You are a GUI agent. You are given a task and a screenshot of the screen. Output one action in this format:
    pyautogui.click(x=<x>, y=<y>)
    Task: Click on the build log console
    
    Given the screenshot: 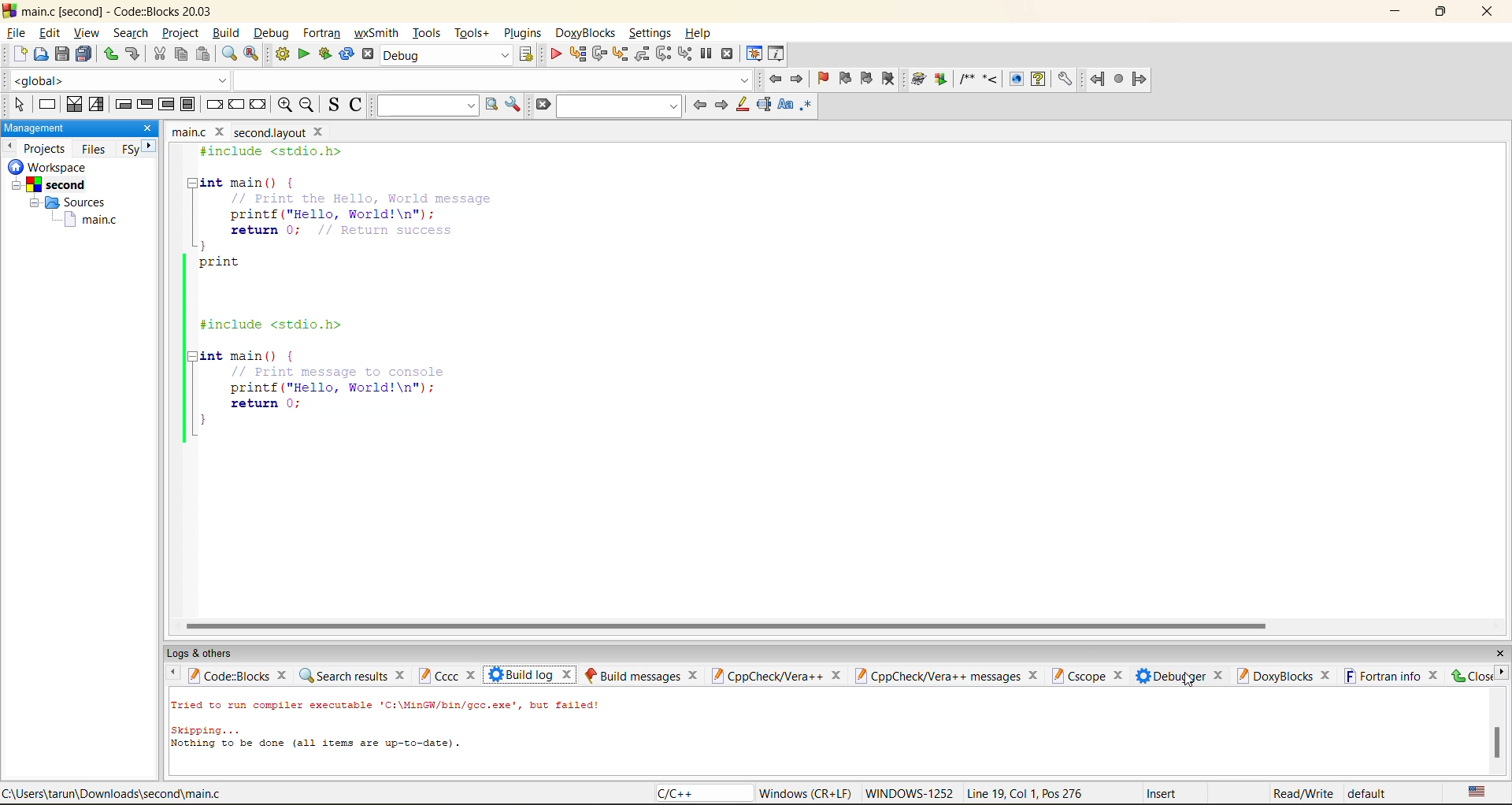 What is the action you would take?
    pyautogui.click(x=411, y=736)
    